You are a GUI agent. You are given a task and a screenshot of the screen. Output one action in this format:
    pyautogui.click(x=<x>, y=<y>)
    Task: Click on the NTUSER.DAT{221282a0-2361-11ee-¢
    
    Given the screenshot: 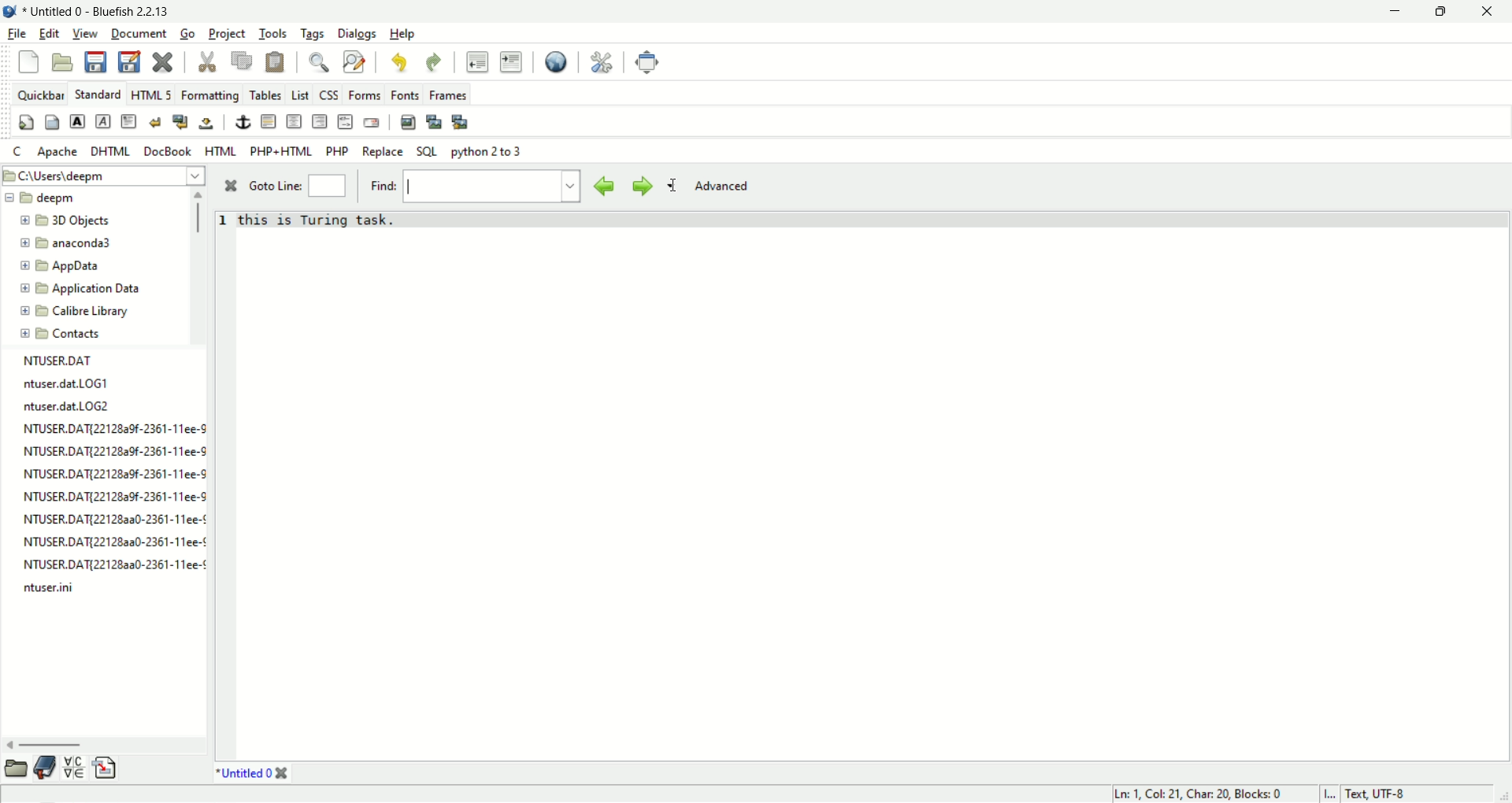 What is the action you would take?
    pyautogui.click(x=106, y=521)
    